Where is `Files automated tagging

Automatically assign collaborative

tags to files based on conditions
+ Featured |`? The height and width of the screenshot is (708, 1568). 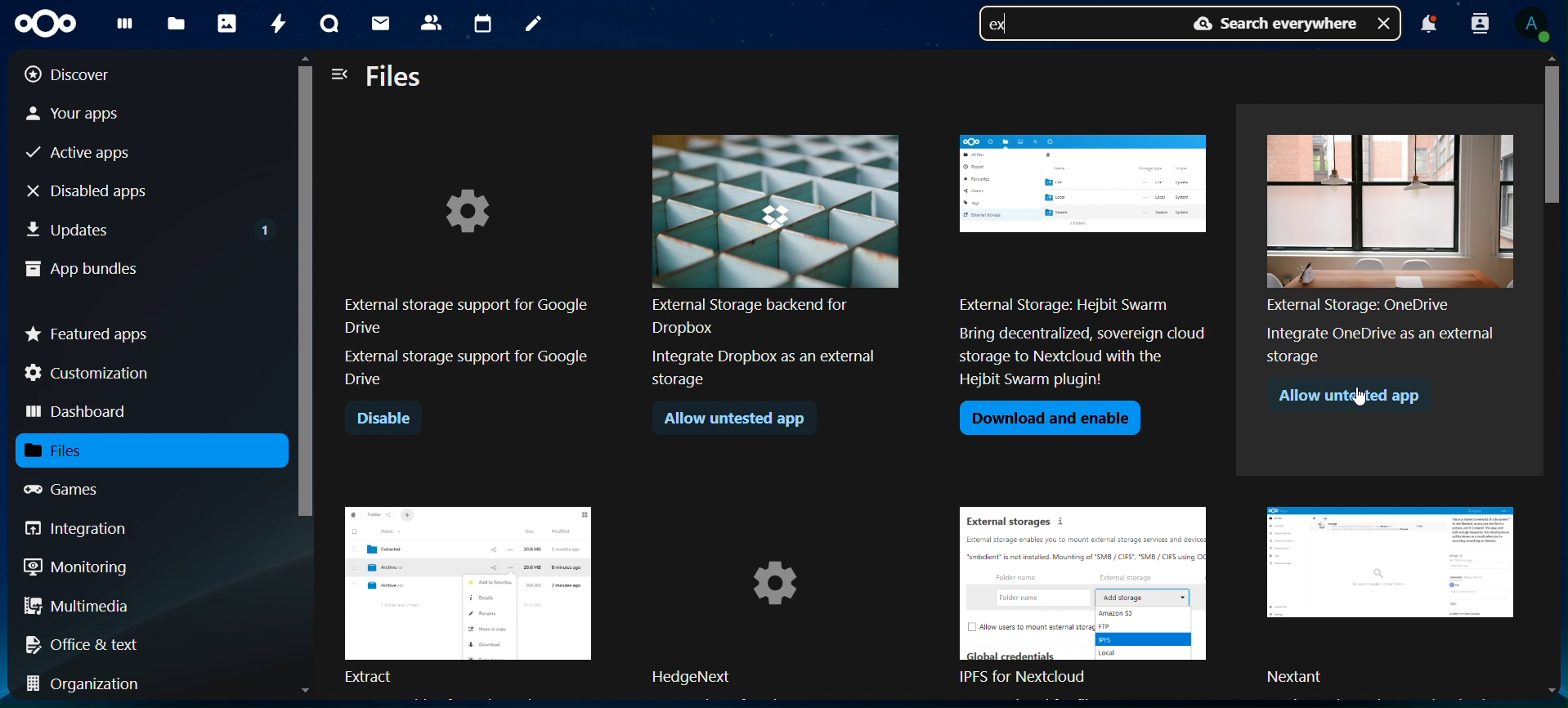 Files automated tagging

Automatically assign collaborative

tags to files based on conditions
+ Featured | is located at coordinates (1084, 266).